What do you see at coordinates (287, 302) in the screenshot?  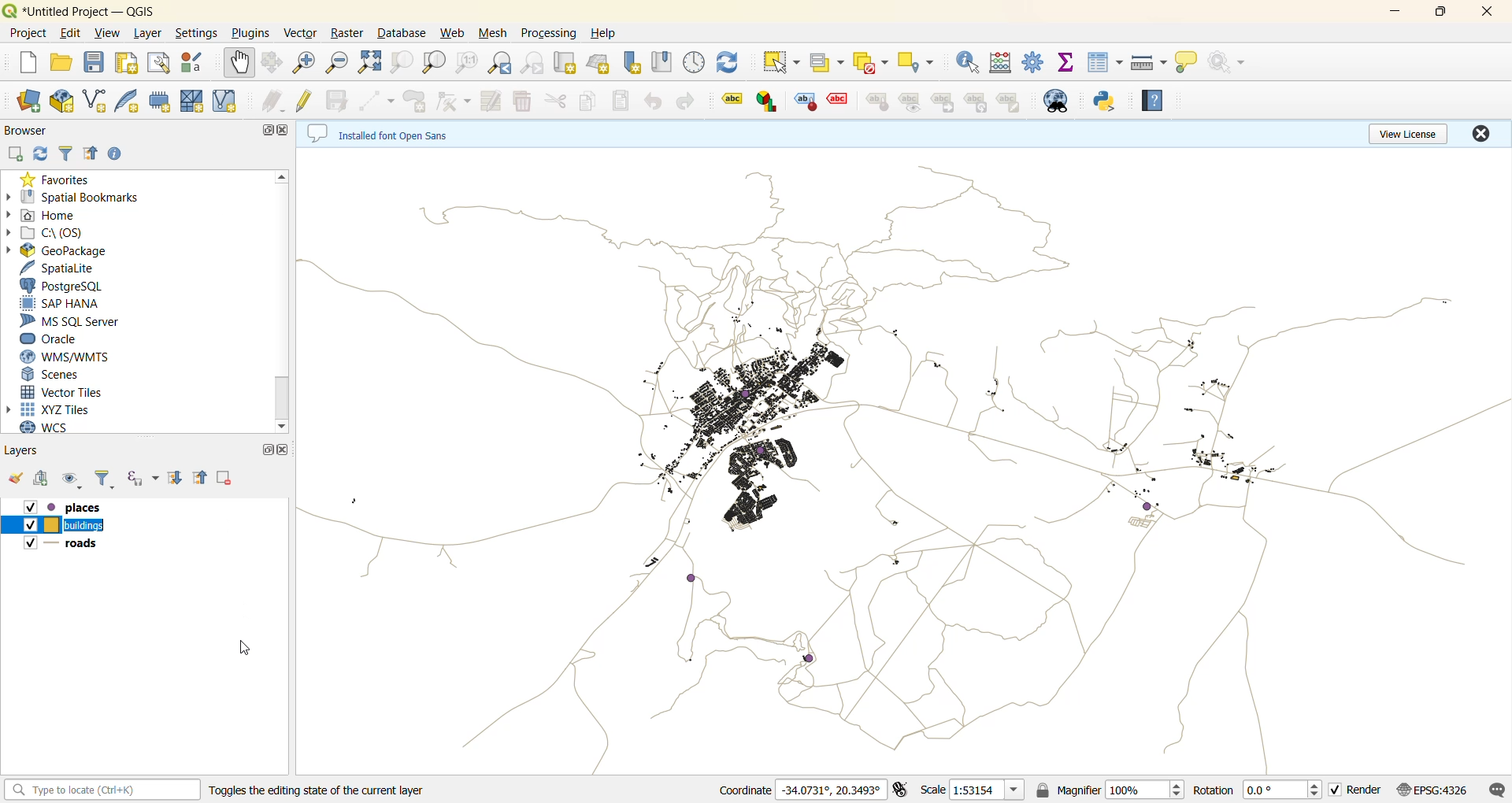 I see `vertical scroll bar` at bounding box center [287, 302].